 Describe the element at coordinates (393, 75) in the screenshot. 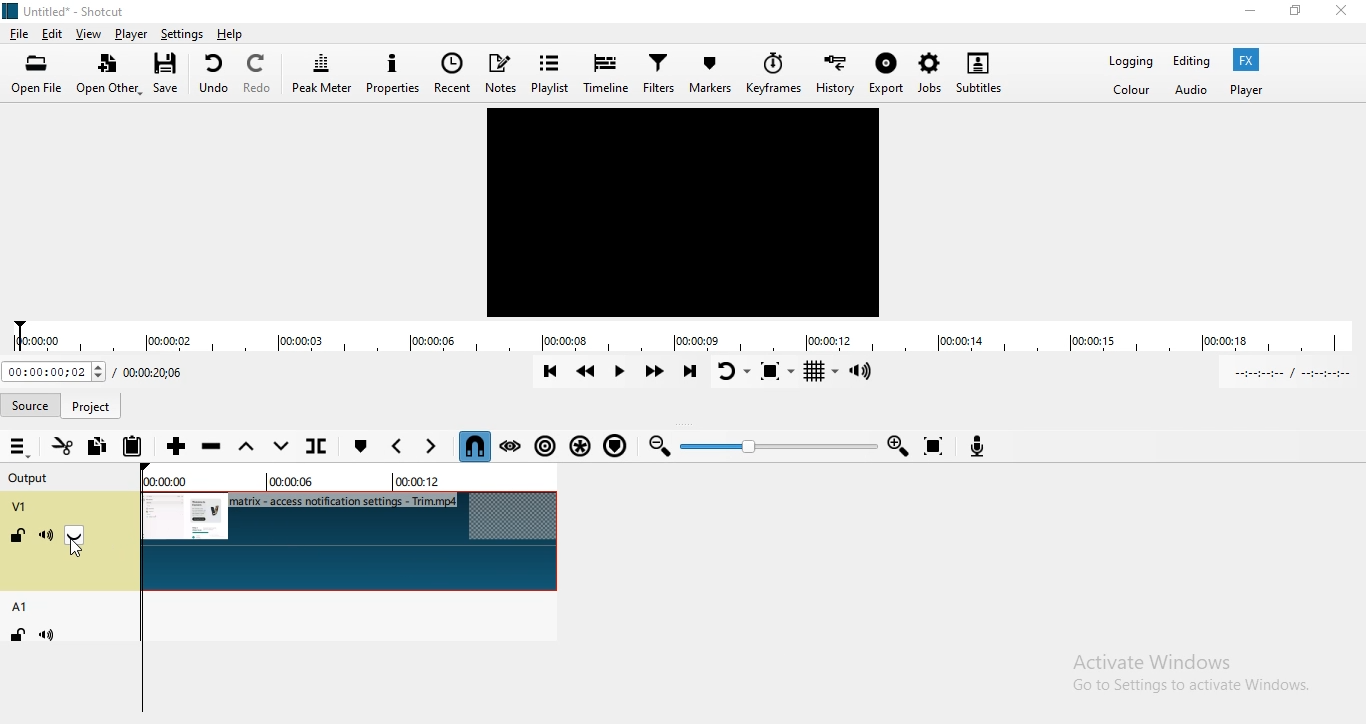

I see `Properties` at that location.